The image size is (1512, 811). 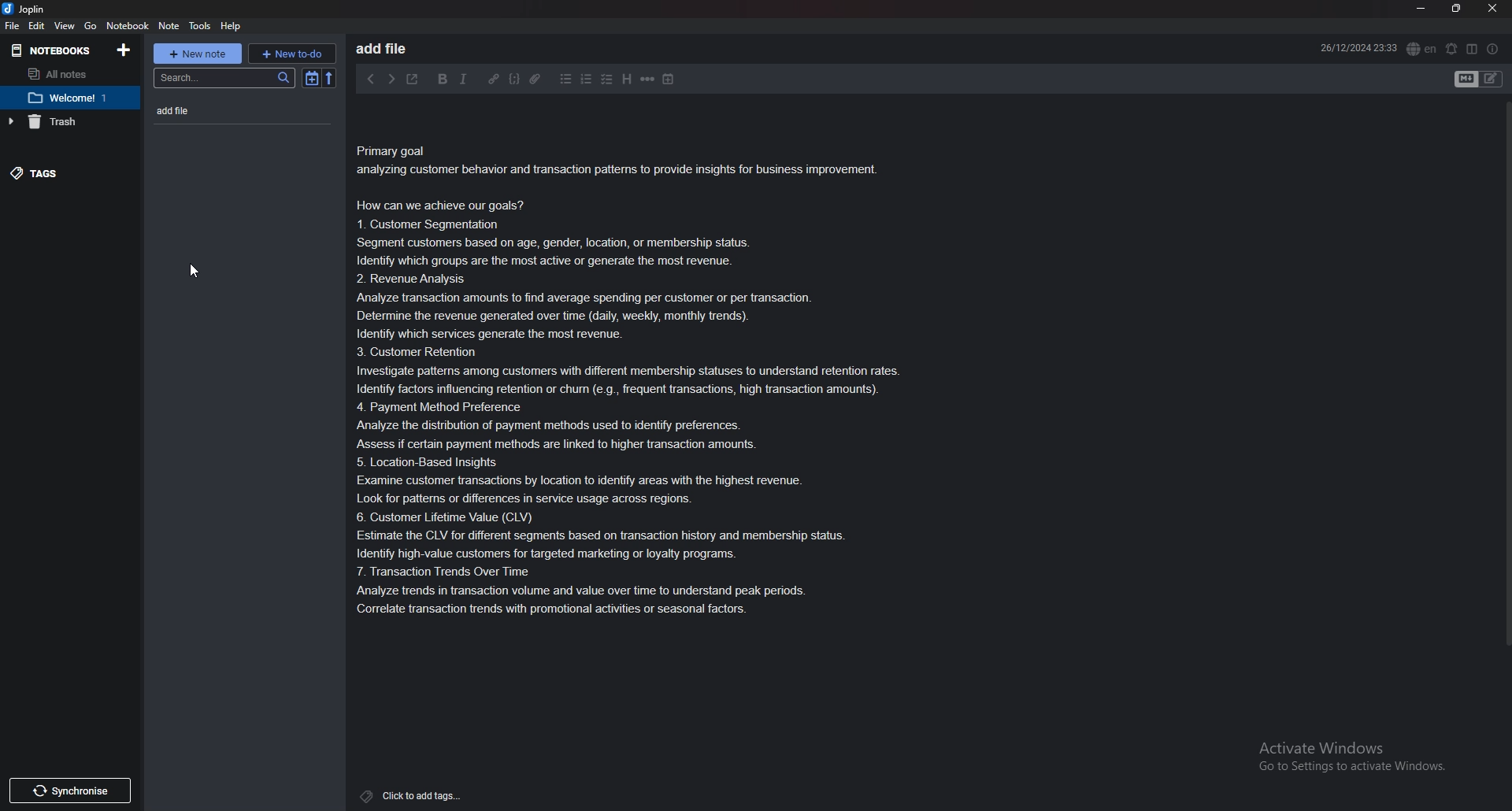 I want to click on New note, so click(x=199, y=54).